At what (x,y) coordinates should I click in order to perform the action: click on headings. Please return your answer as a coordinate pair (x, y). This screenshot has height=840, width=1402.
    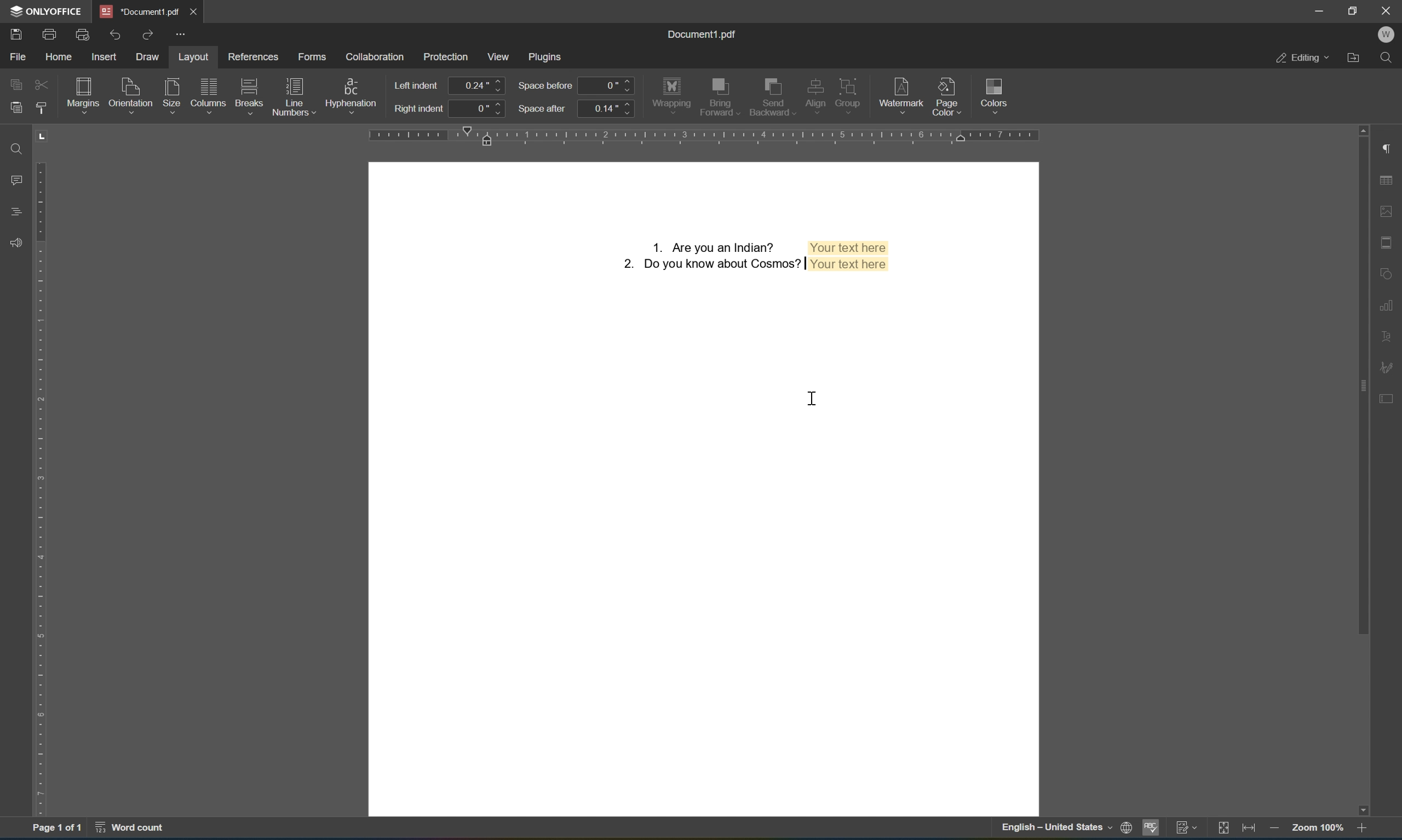
    Looking at the image, I should click on (14, 211).